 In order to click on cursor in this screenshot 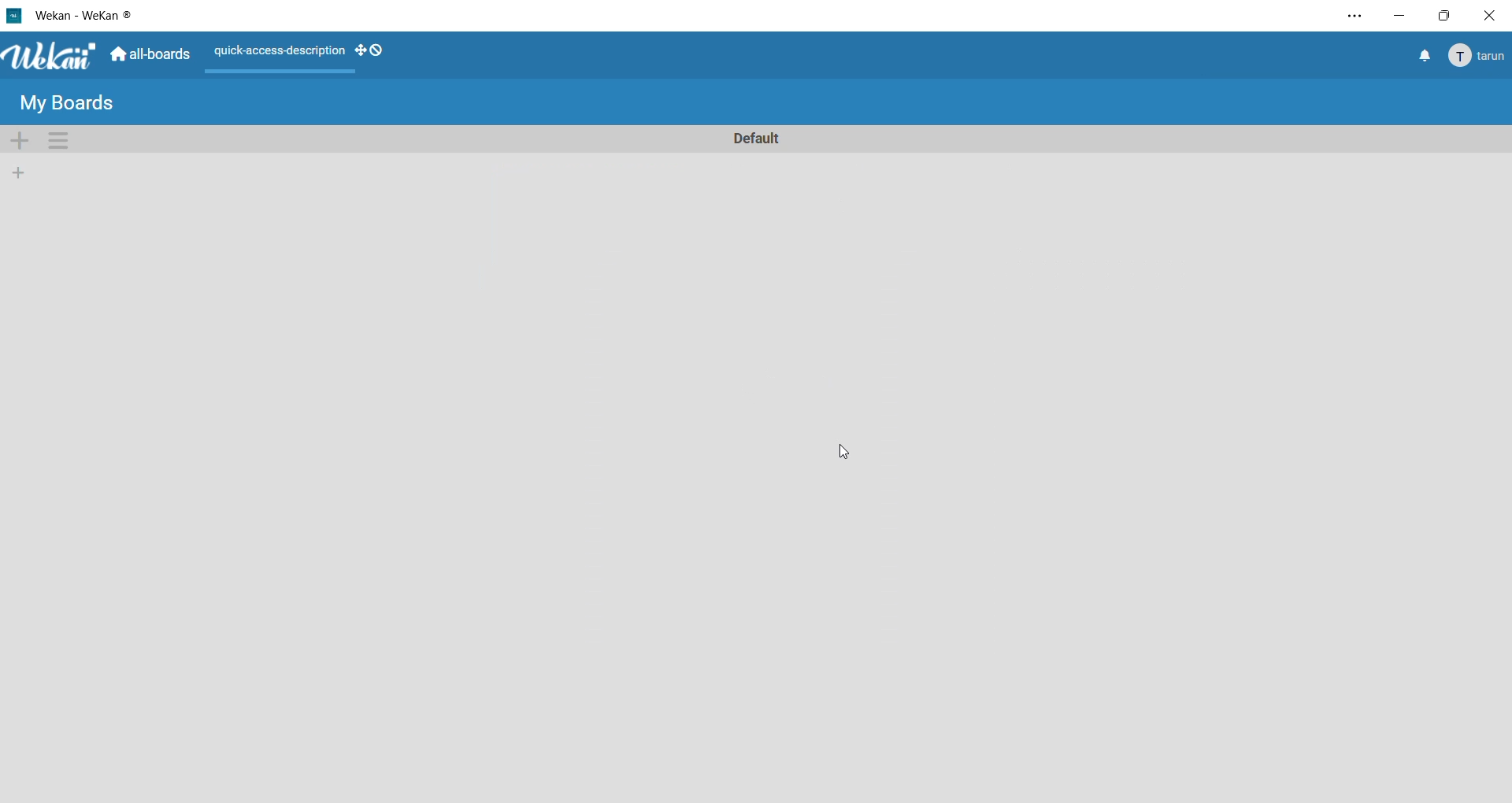, I will do `click(850, 452)`.